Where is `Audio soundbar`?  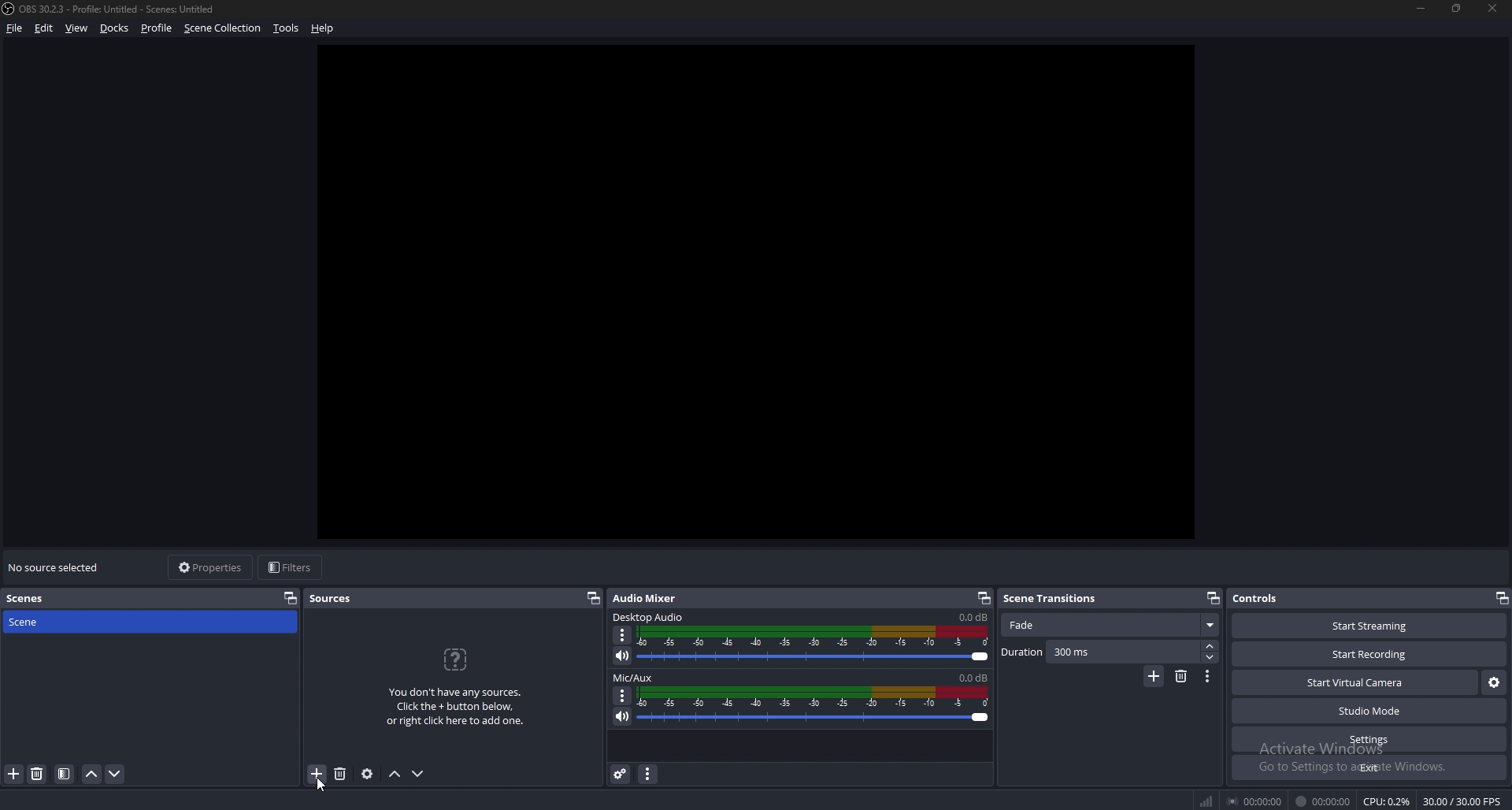 Audio soundbar is located at coordinates (813, 645).